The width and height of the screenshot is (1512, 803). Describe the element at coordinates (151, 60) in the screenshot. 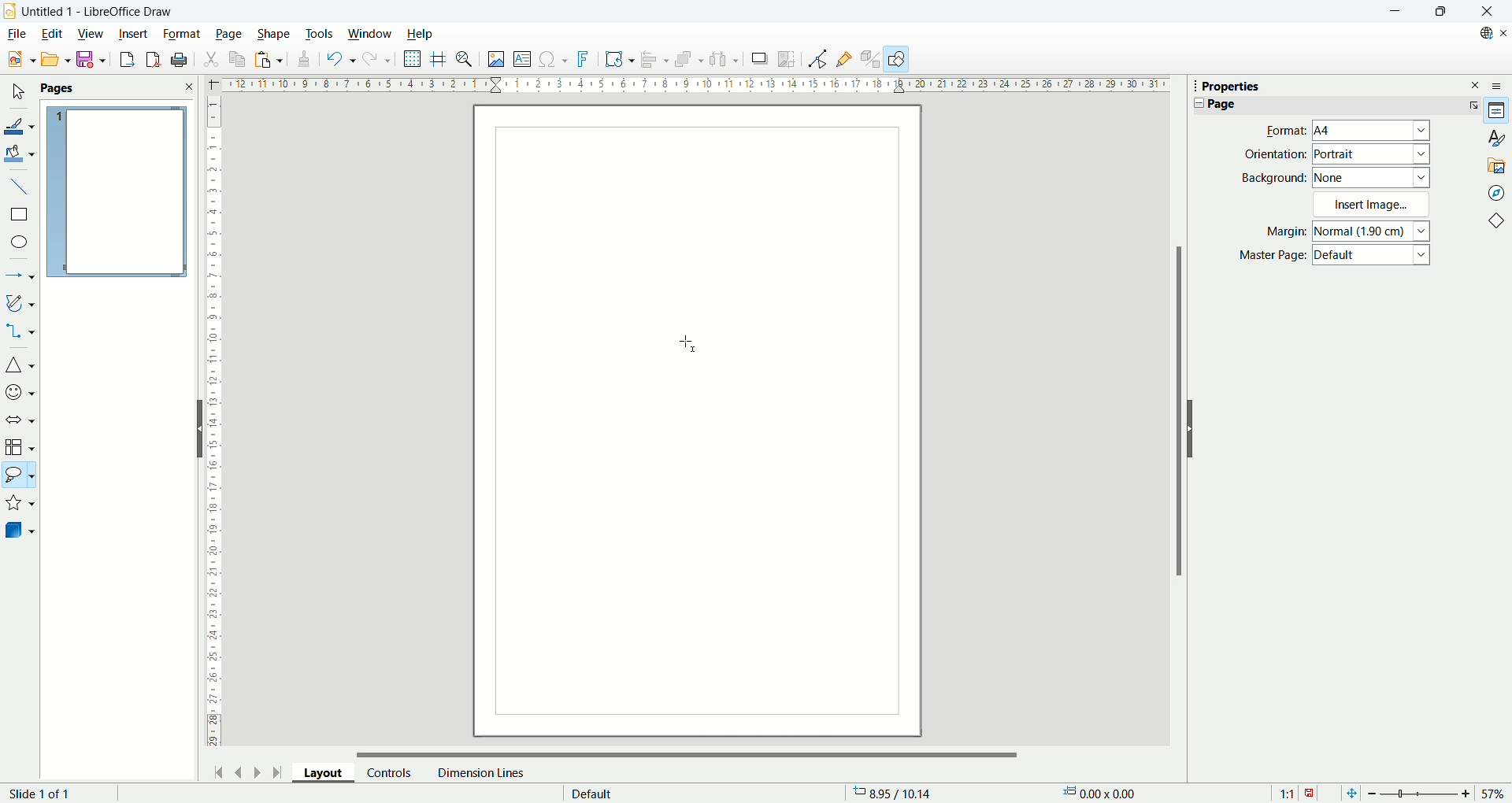

I see `export as PDF` at that location.